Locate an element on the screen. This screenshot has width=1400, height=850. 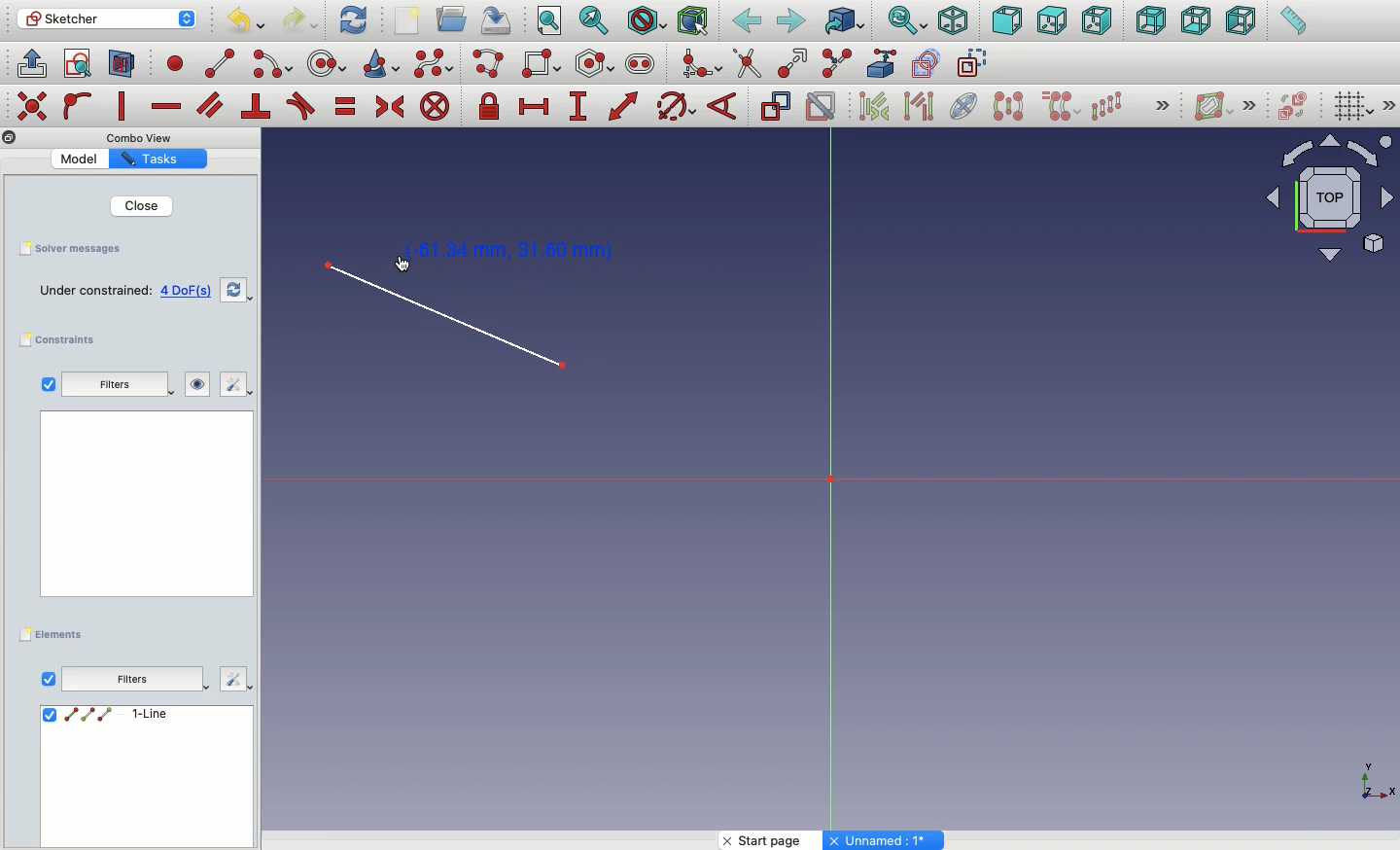
Constrain angle is located at coordinates (724, 106).